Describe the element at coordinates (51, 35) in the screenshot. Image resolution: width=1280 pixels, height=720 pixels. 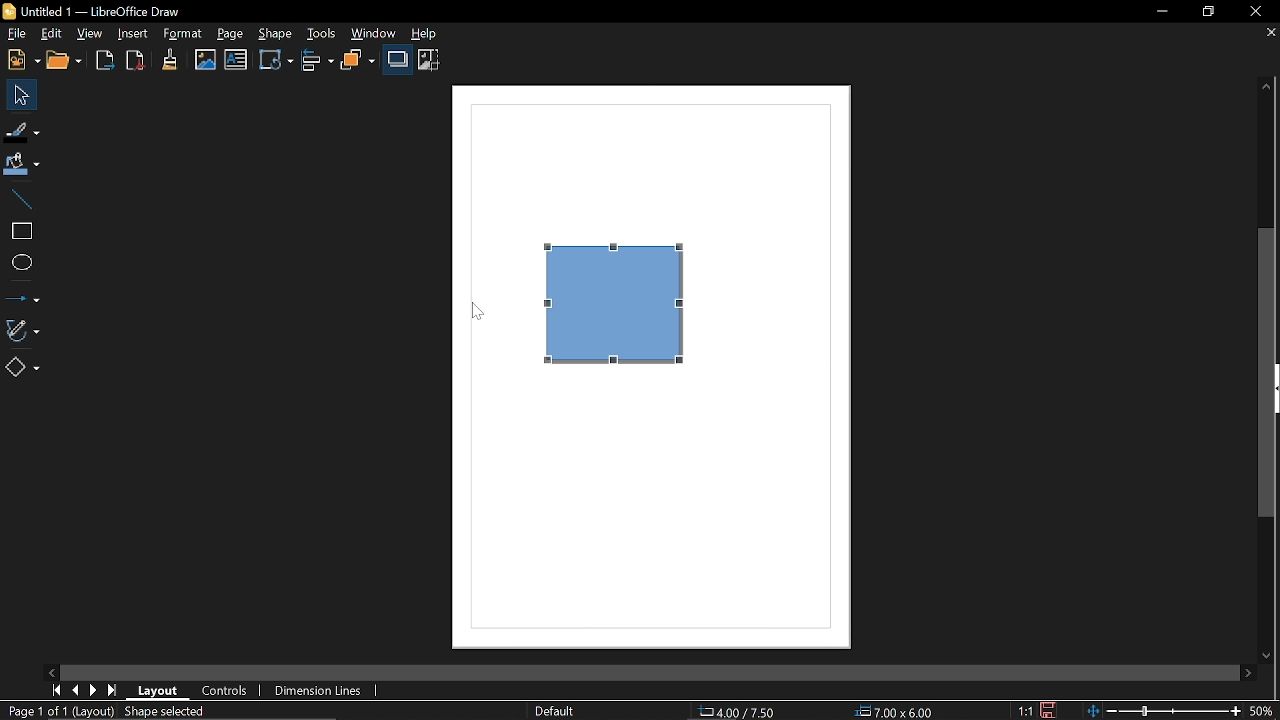
I see `Edit` at that location.